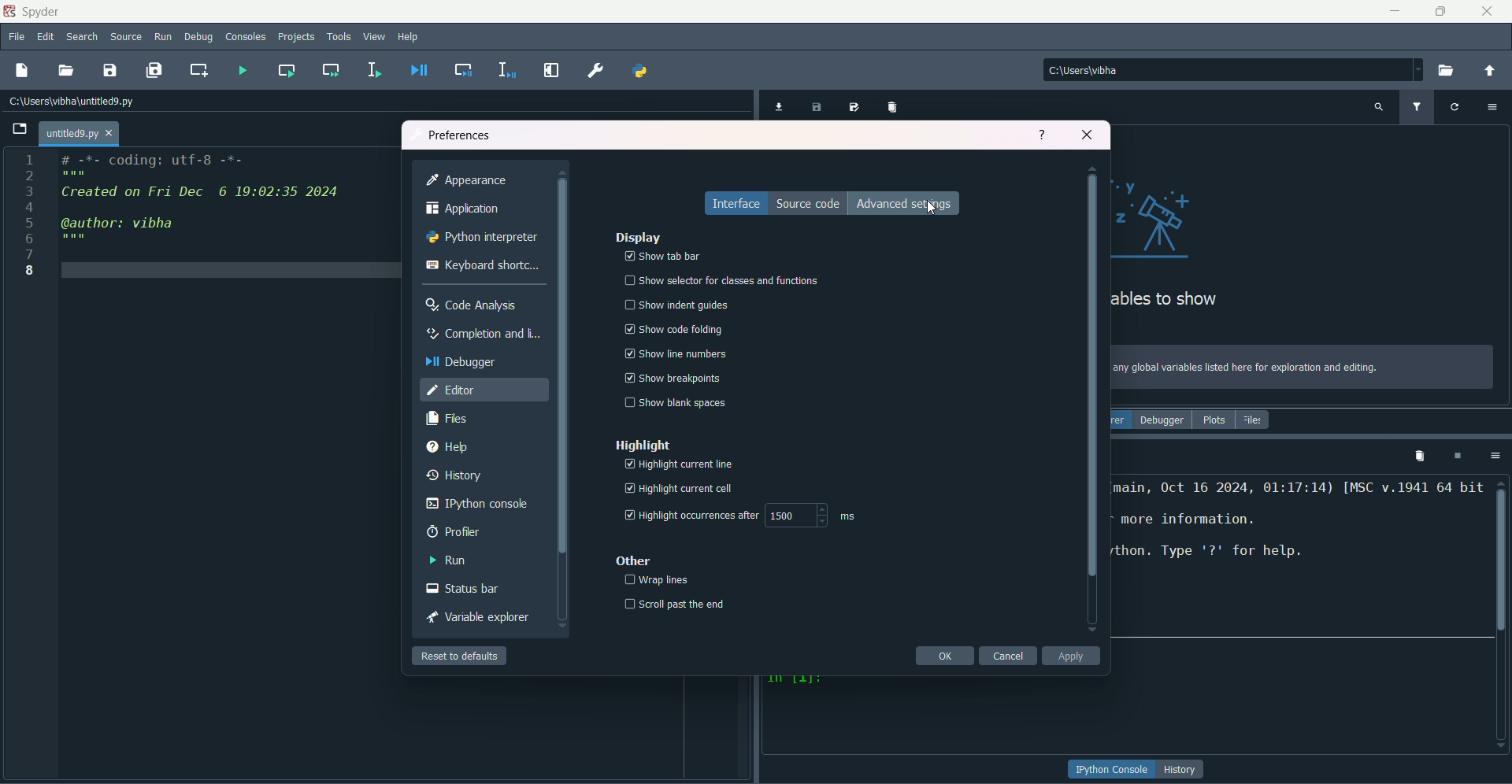 This screenshot has width=1512, height=784. What do you see at coordinates (1073, 656) in the screenshot?
I see `apply` at bounding box center [1073, 656].